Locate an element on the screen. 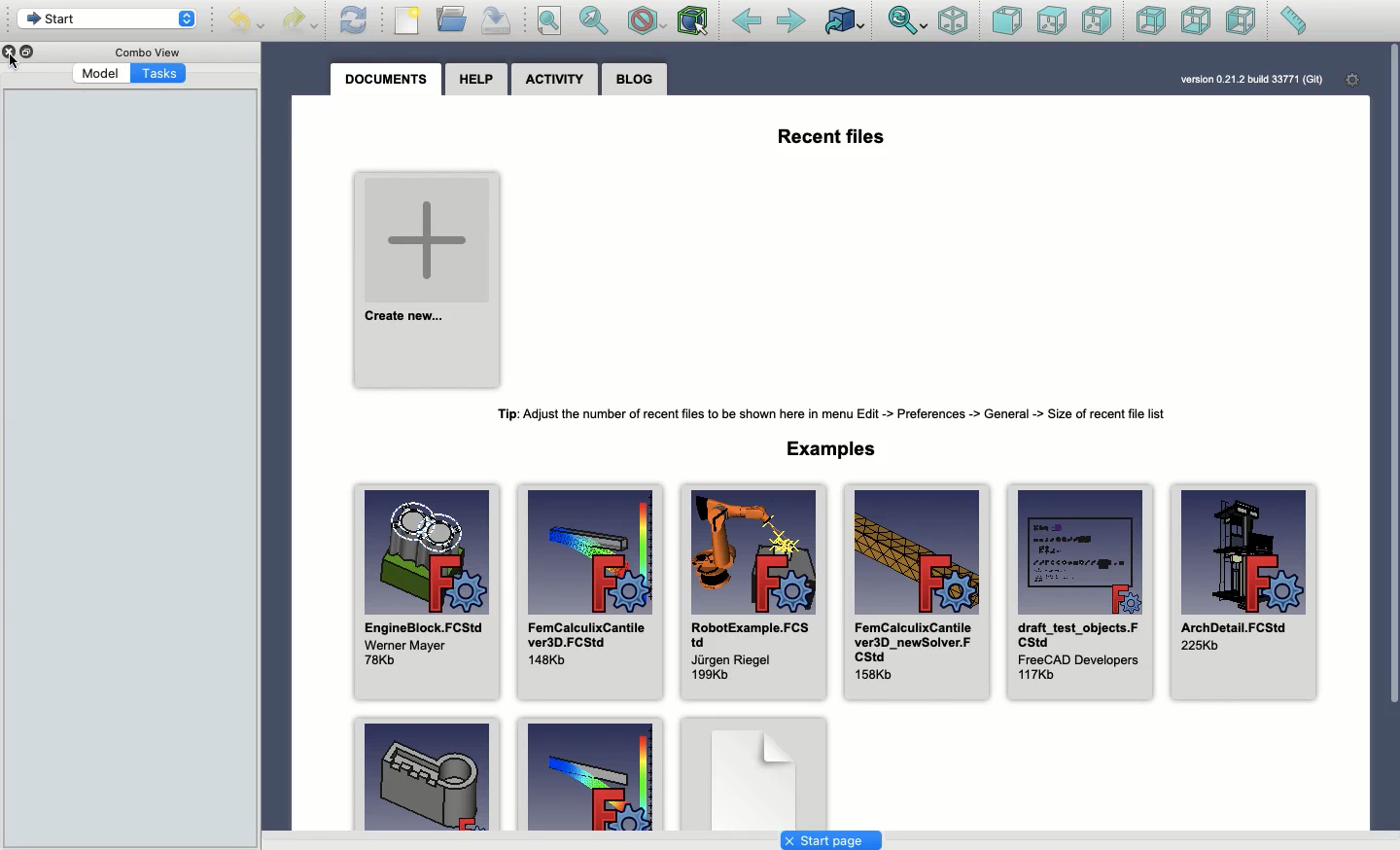 This screenshot has height=850, width=1400. Example is located at coordinates (426, 774).